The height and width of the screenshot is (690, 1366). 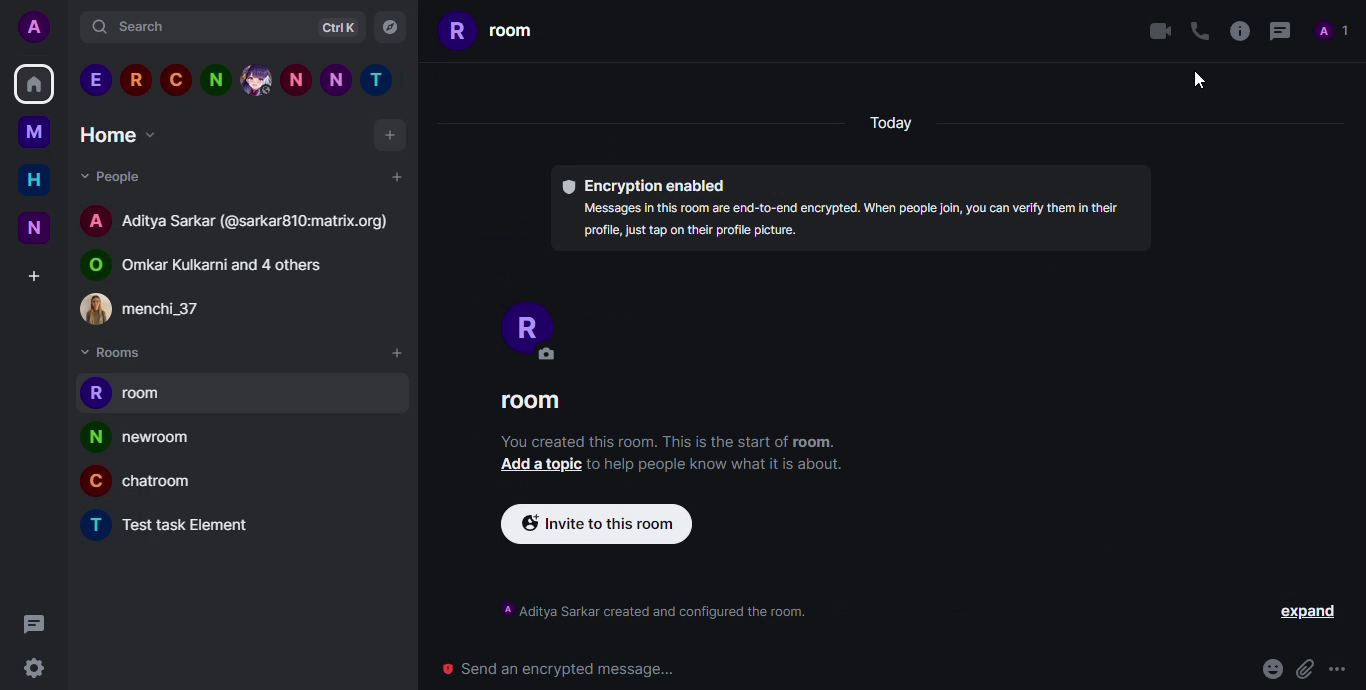 What do you see at coordinates (536, 464) in the screenshot?
I see `add topic` at bounding box center [536, 464].